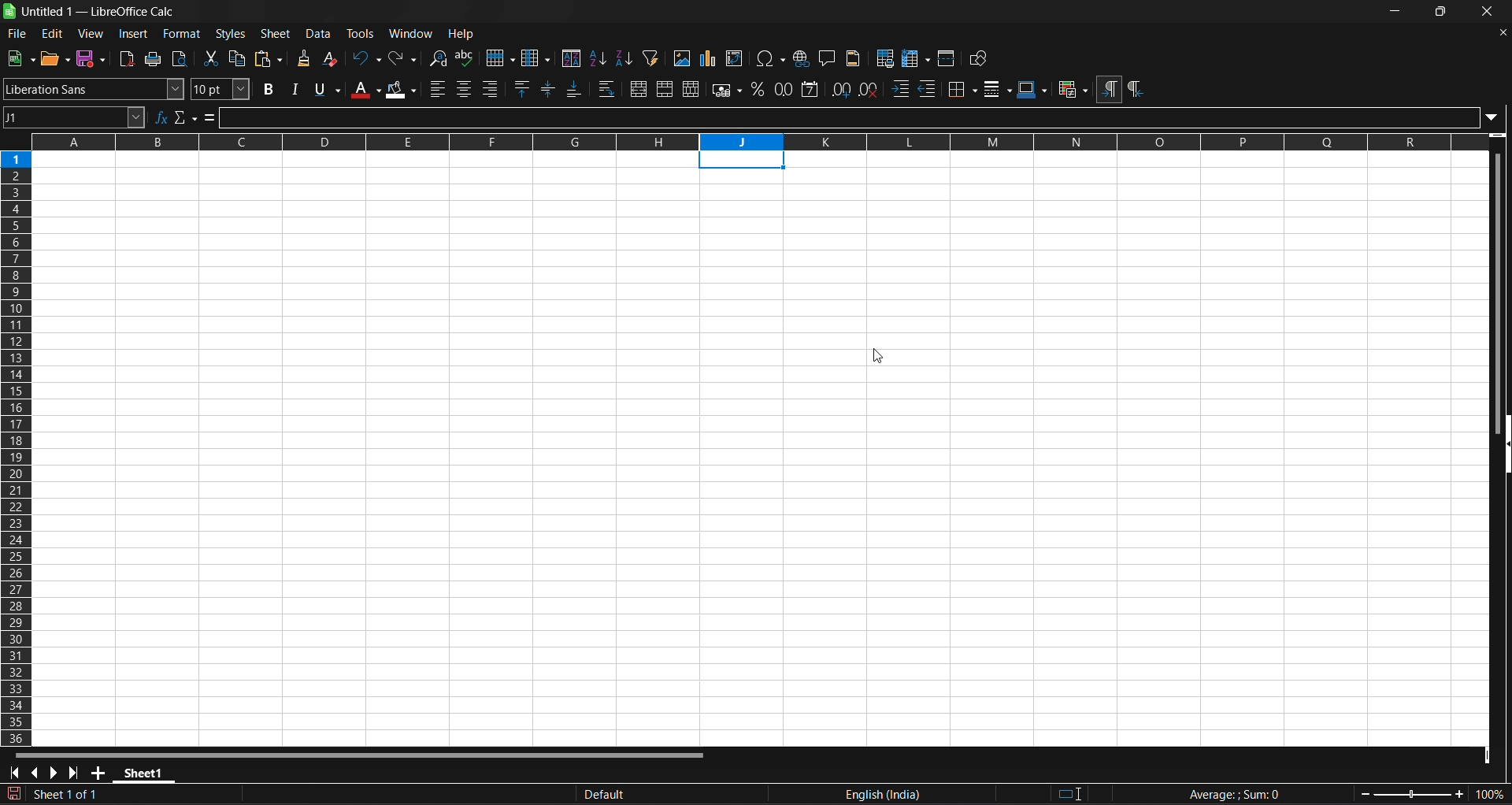  What do you see at coordinates (275, 33) in the screenshot?
I see `sheet` at bounding box center [275, 33].